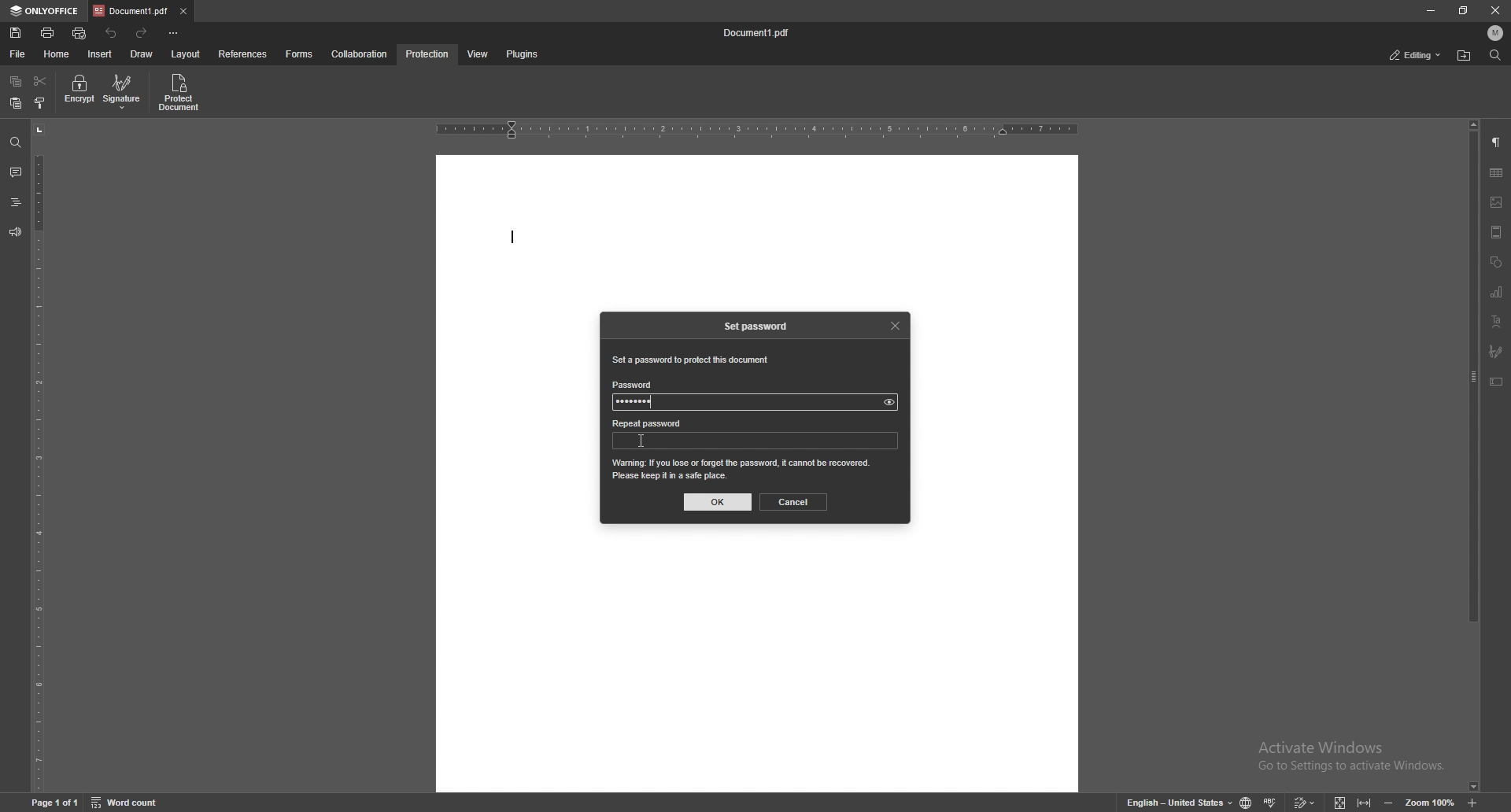 The image size is (1511, 812). I want to click on feedback, so click(14, 233).